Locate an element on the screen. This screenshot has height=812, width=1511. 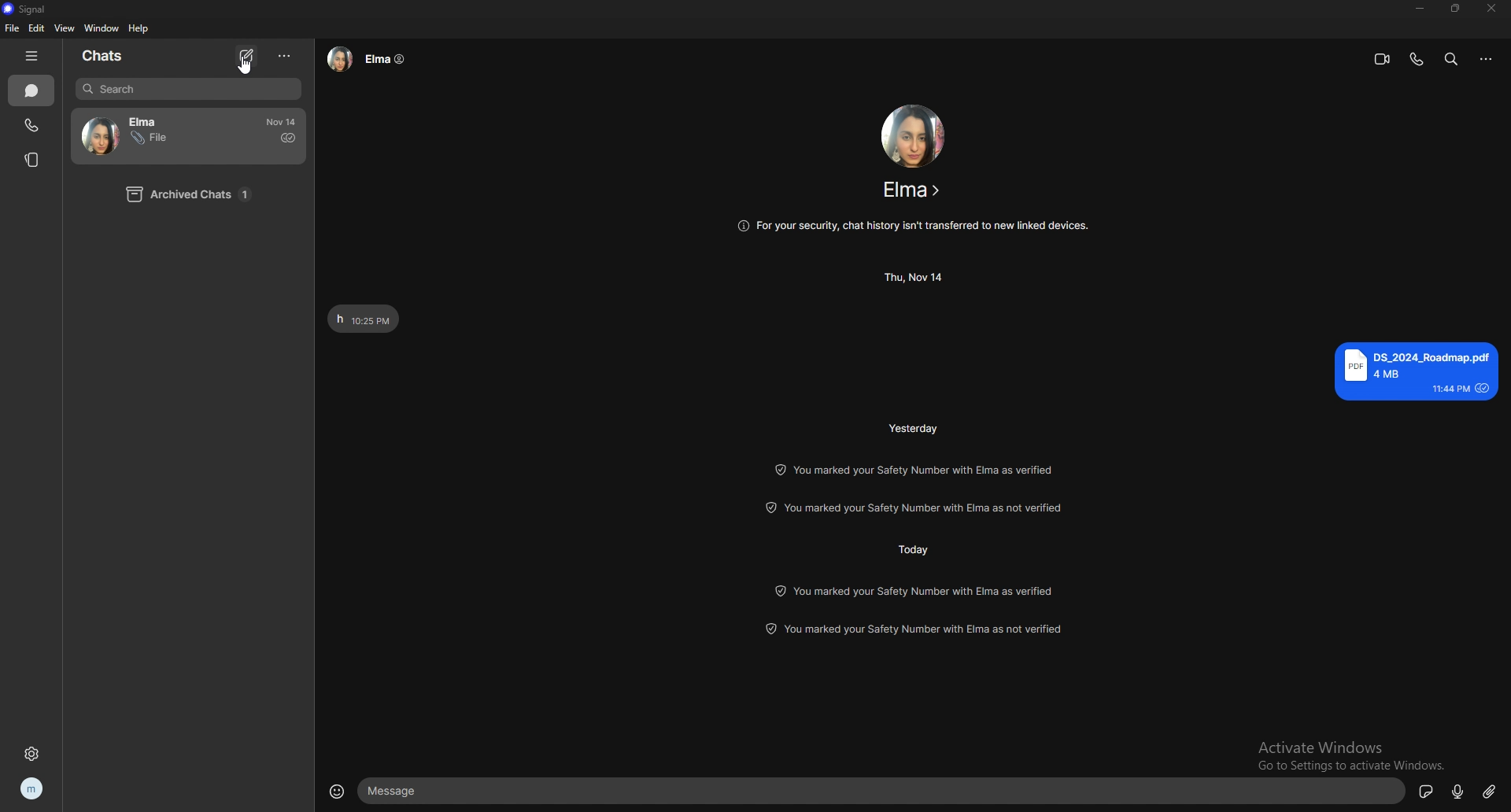
window is located at coordinates (102, 28).